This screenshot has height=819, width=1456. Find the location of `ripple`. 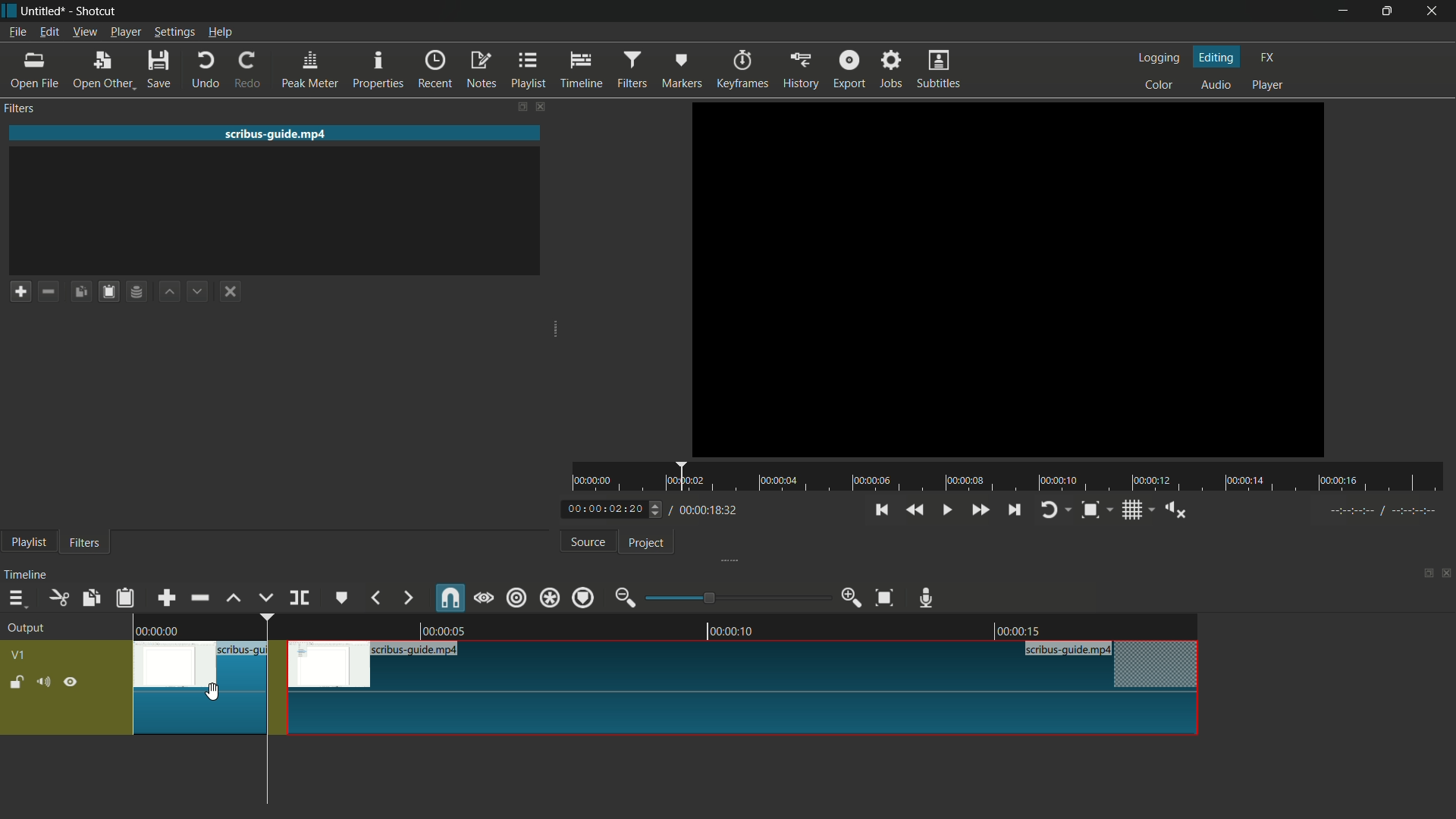

ripple is located at coordinates (515, 597).